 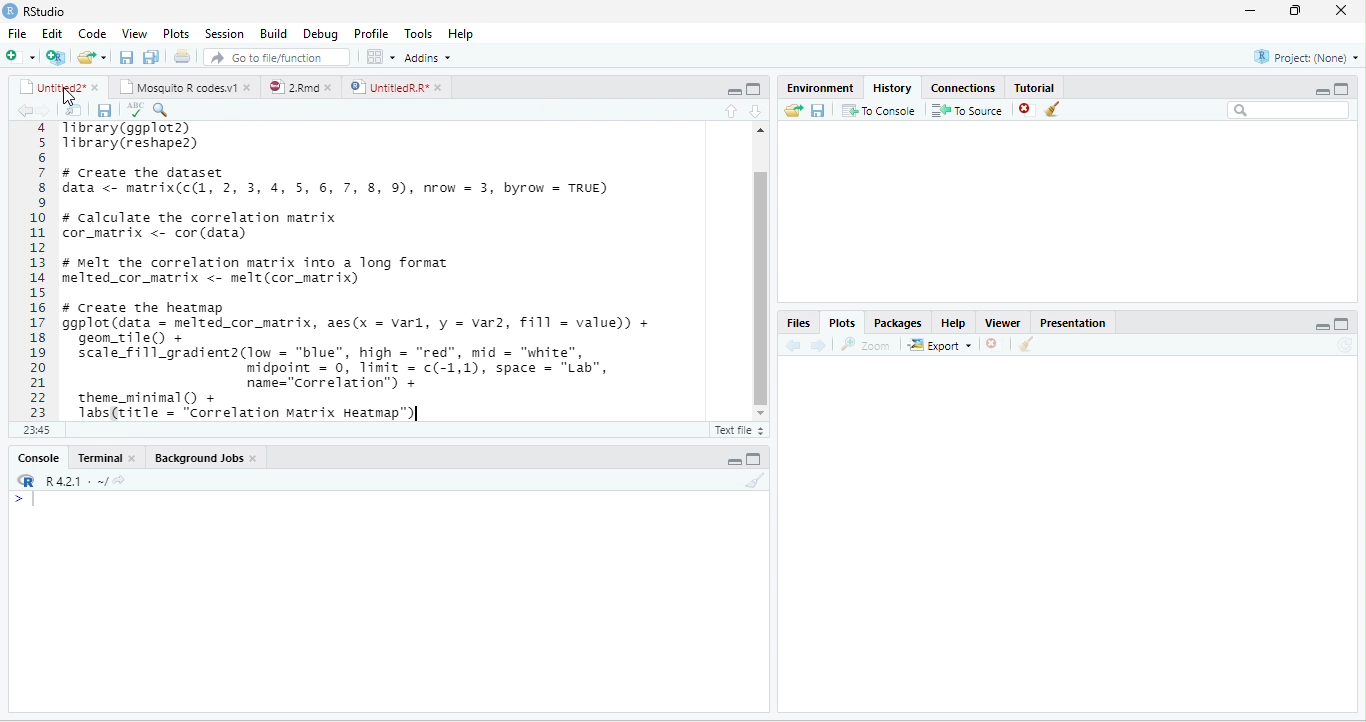 I want to click on R SCRIPT, so click(x=735, y=432).